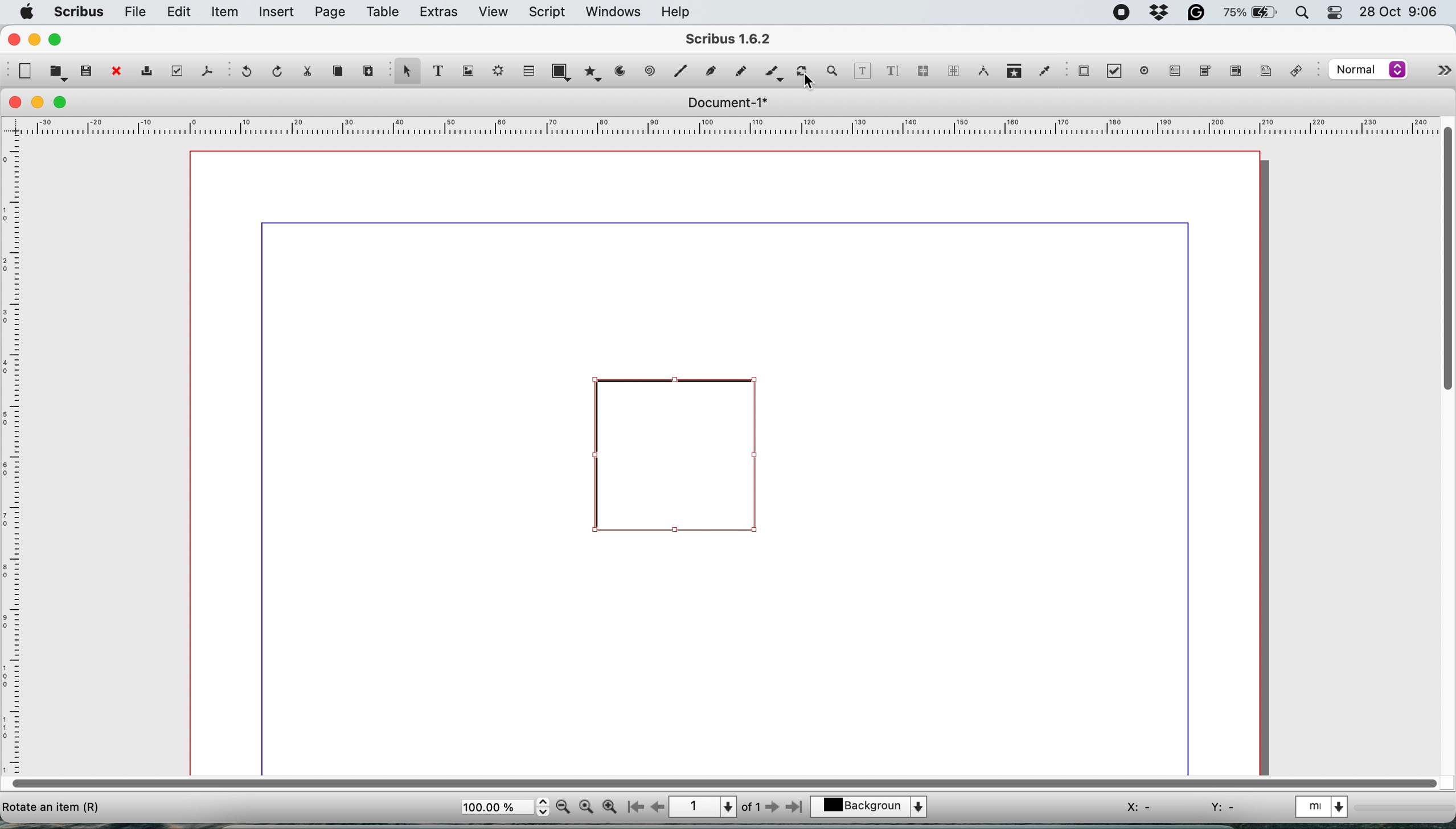 The height and width of the screenshot is (829, 1456). What do you see at coordinates (39, 102) in the screenshot?
I see `minimise` at bounding box center [39, 102].